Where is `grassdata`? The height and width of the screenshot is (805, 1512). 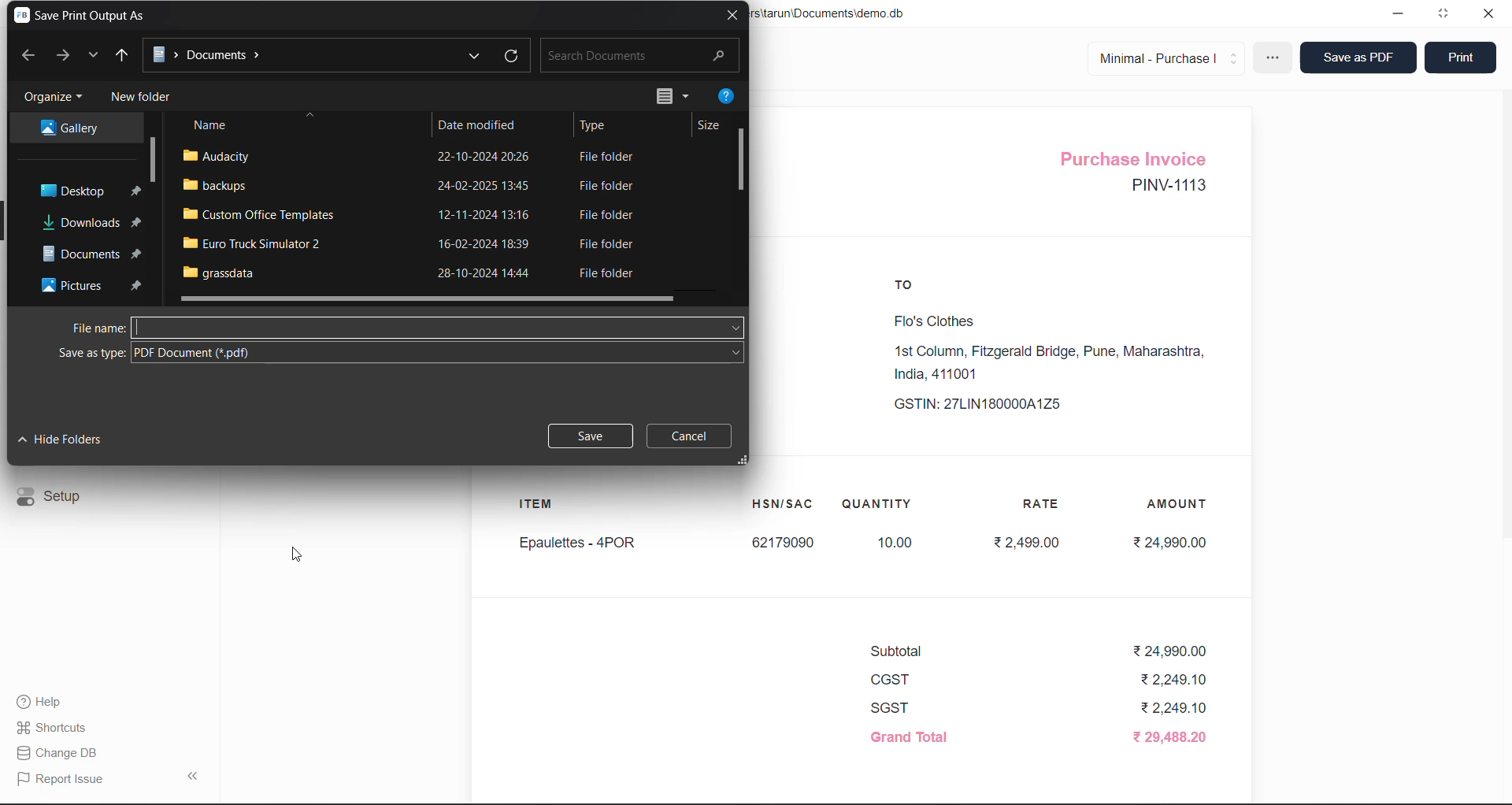 grassdata is located at coordinates (220, 276).